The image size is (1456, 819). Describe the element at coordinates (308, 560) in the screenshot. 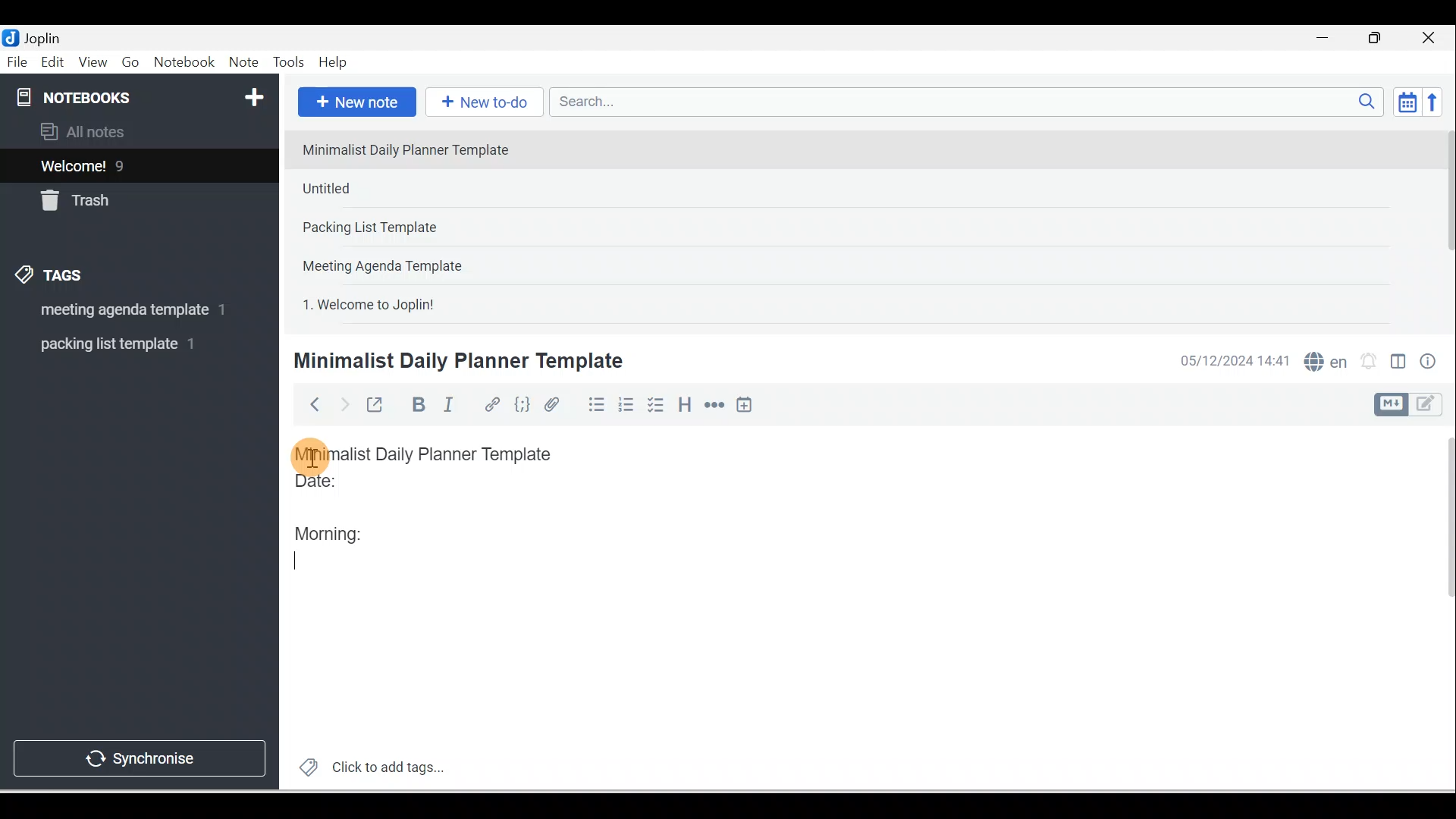

I see `Cursor` at that location.